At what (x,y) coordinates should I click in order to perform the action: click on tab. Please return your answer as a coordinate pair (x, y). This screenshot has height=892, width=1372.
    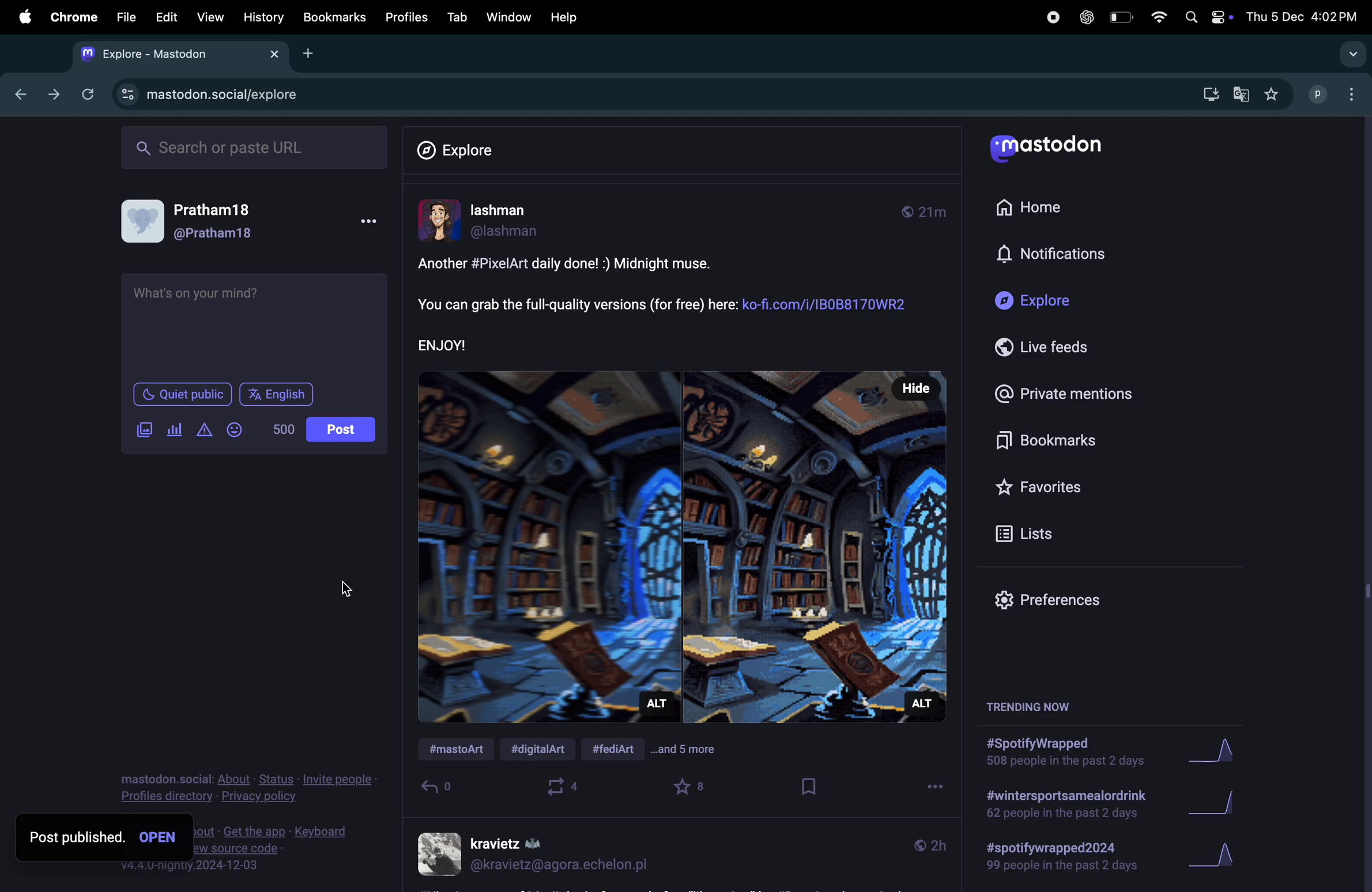
    Looking at the image, I should click on (455, 17).